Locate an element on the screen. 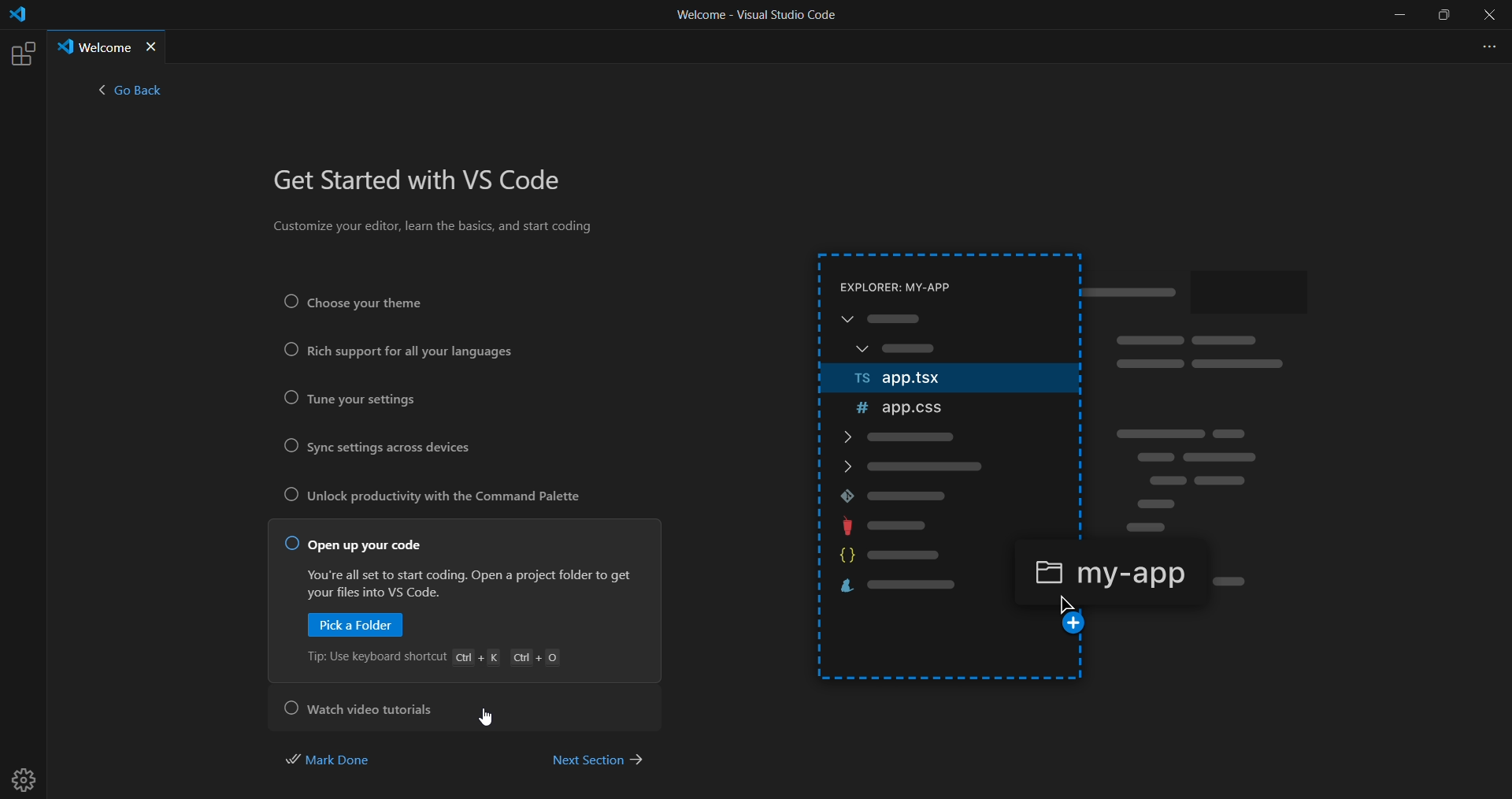 This screenshot has width=1512, height=799. menu sample is located at coordinates (948, 336).